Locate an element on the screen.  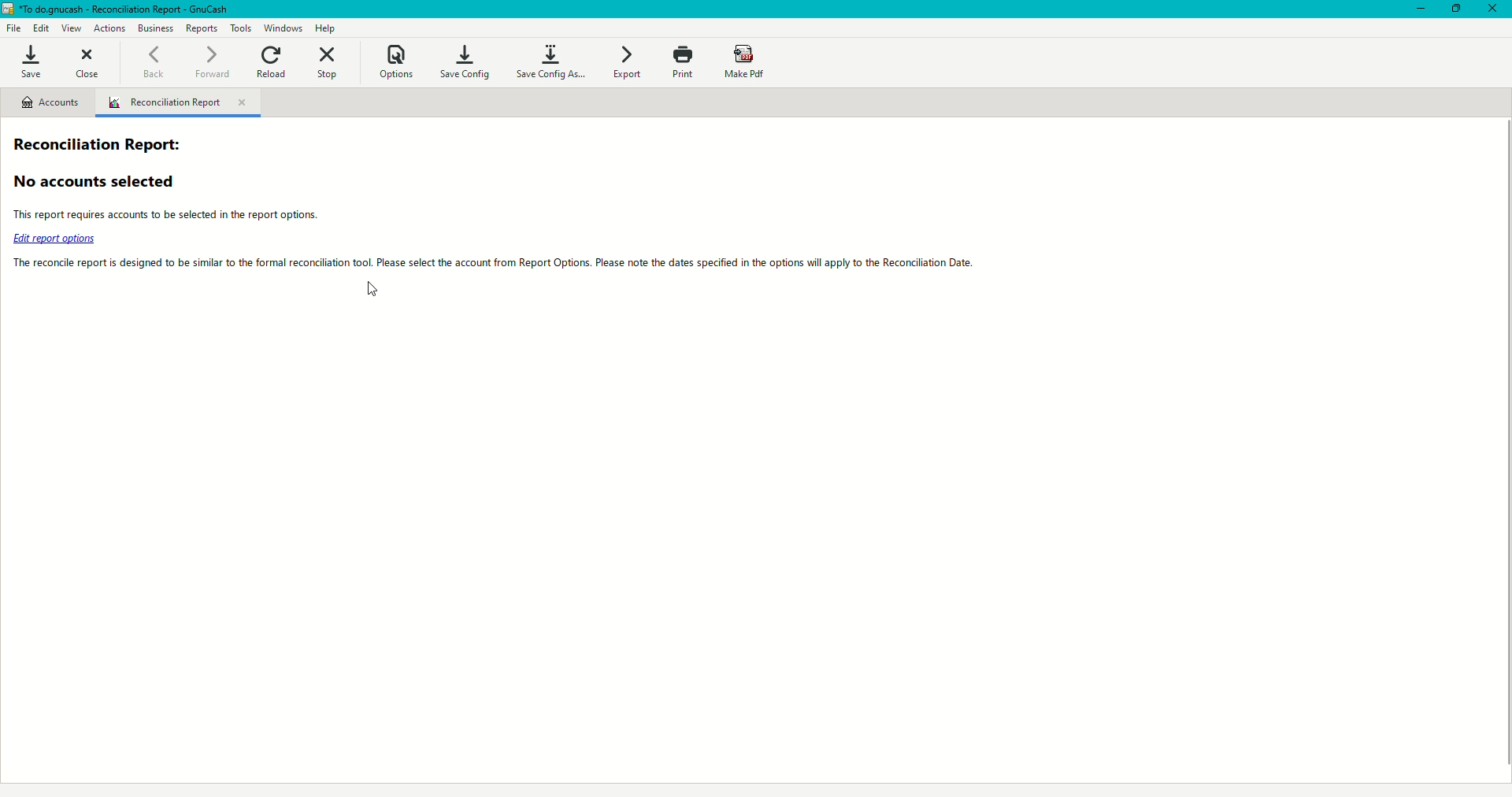
Save Config As is located at coordinates (547, 60).